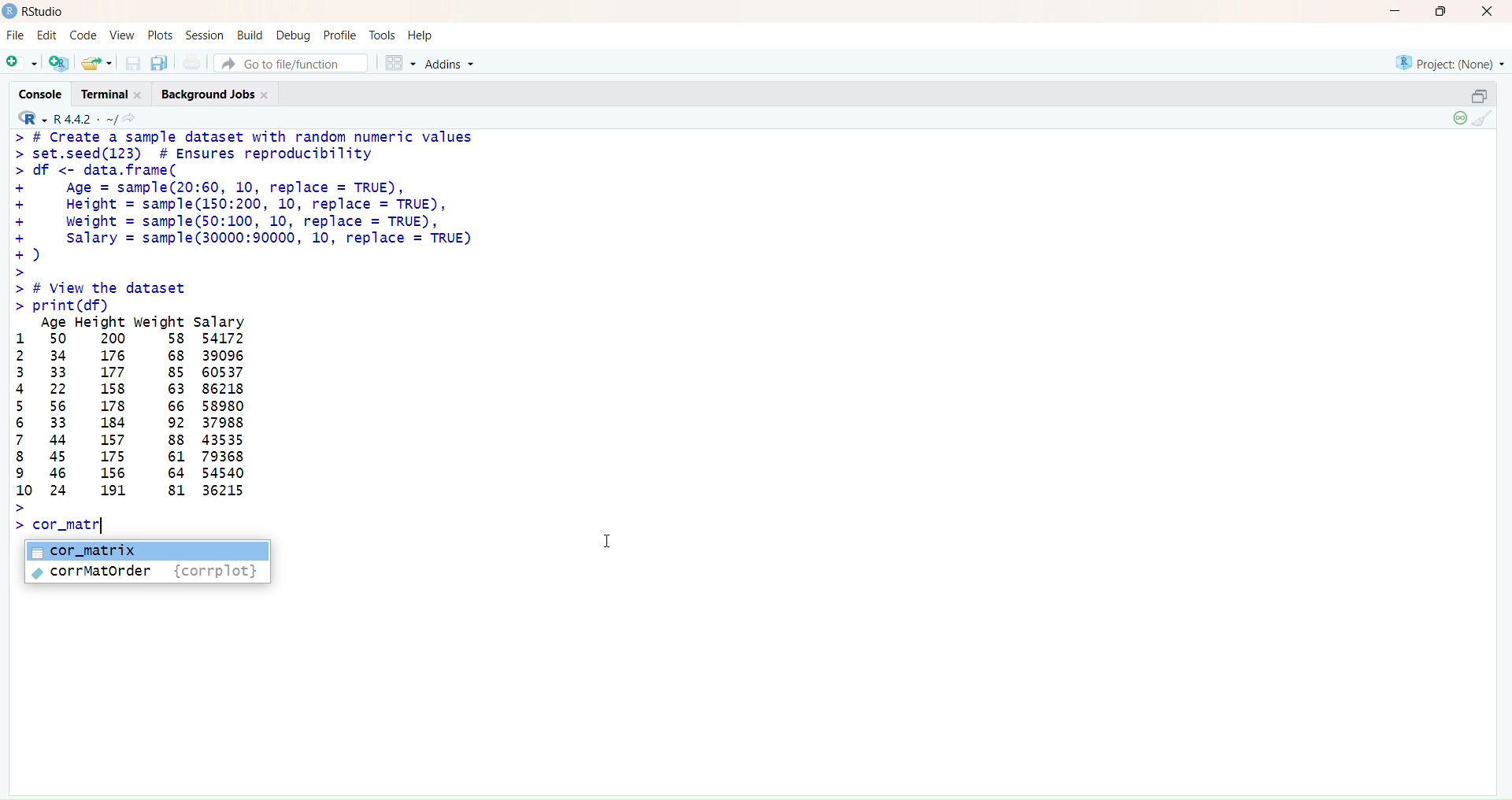 This screenshot has height=800, width=1512. I want to click on Code, so click(82, 36).